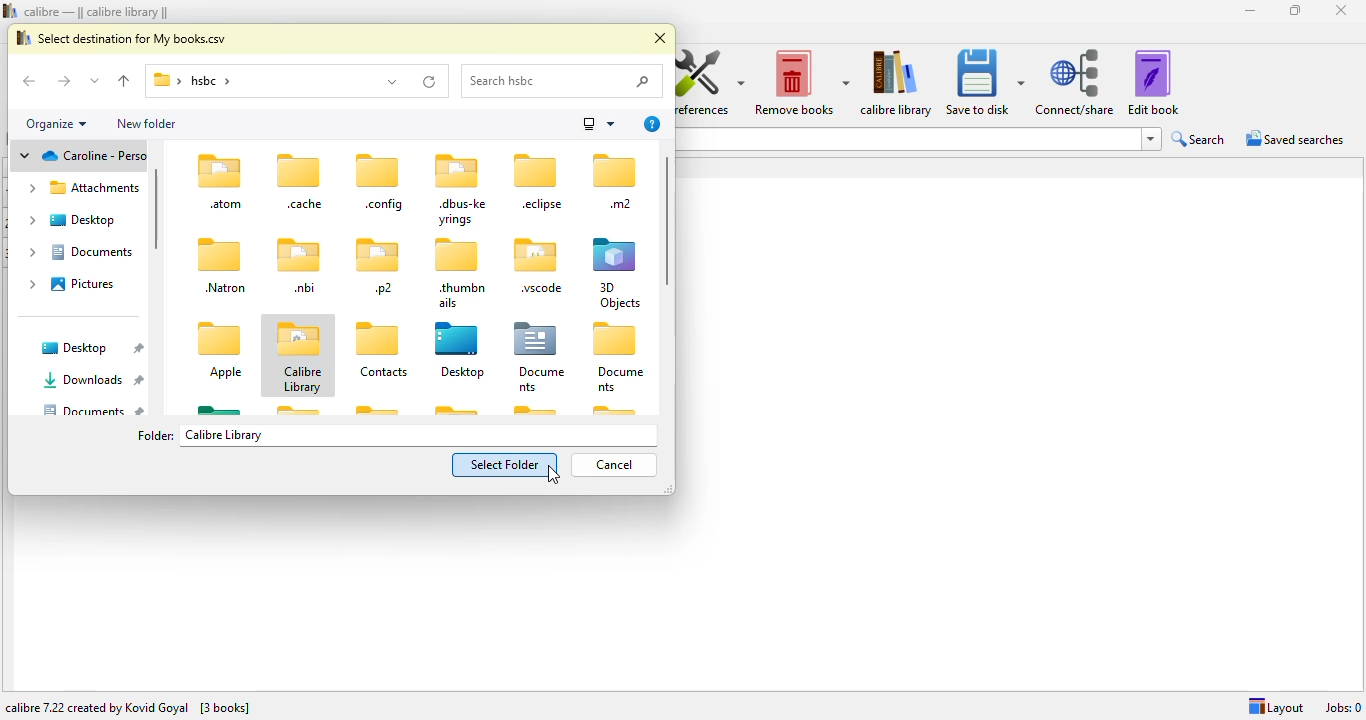 This screenshot has width=1366, height=720. What do you see at coordinates (63, 81) in the screenshot?
I see `forward` at bounding box center [63, 81].